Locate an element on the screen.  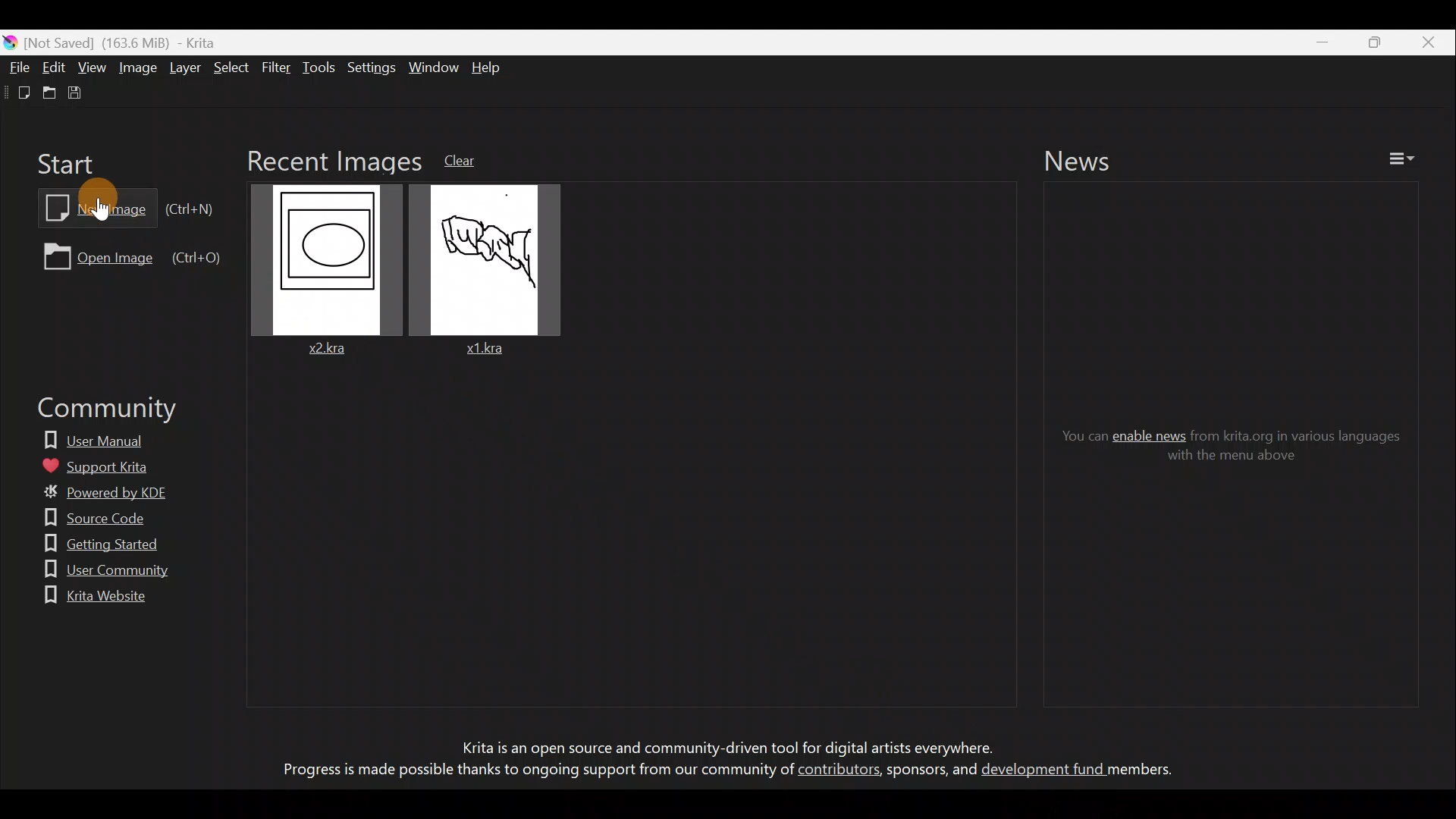
Settings is located at coordinates (369, 67).